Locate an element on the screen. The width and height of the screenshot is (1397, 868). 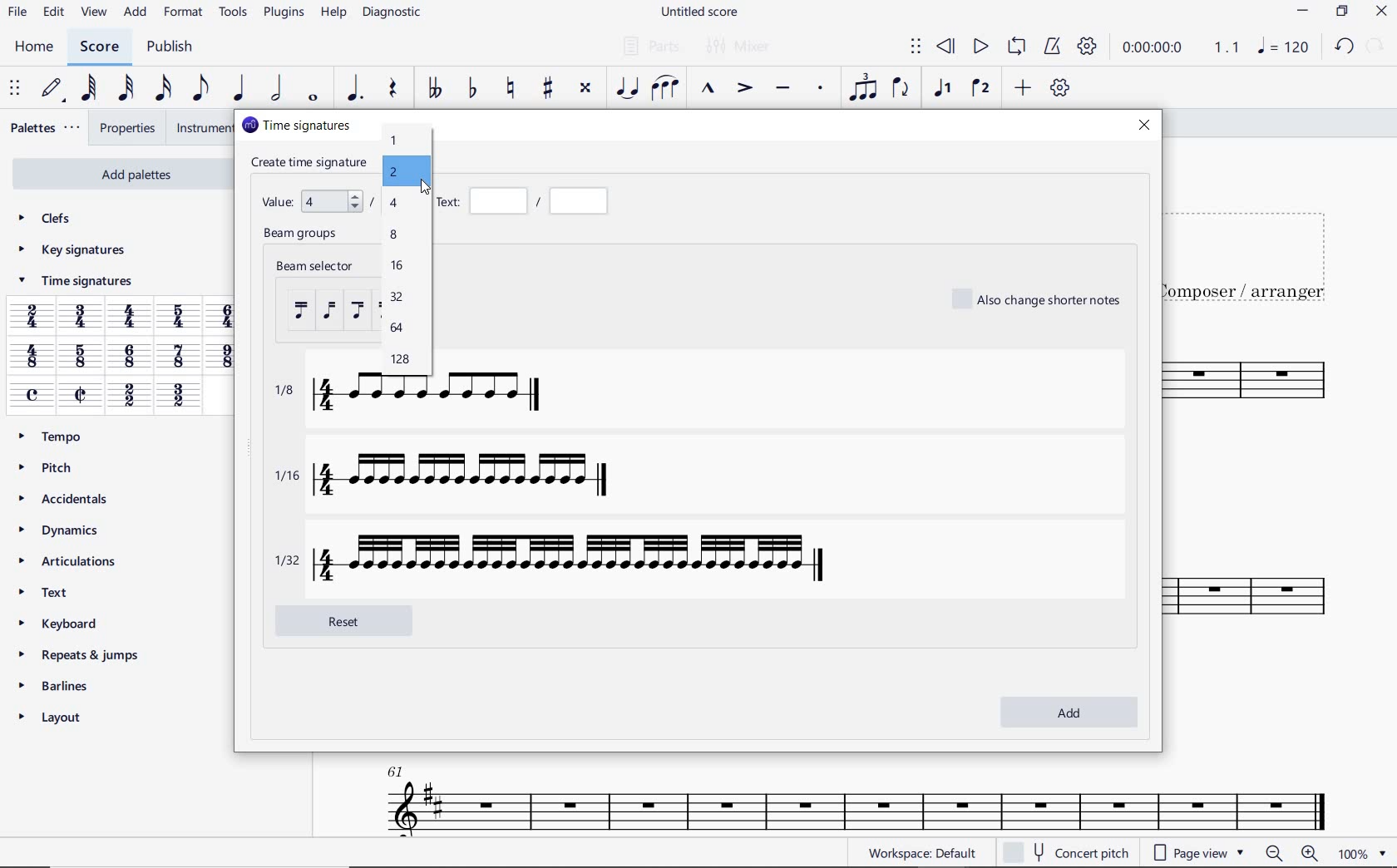
128 is located at coordinates (398, 359).